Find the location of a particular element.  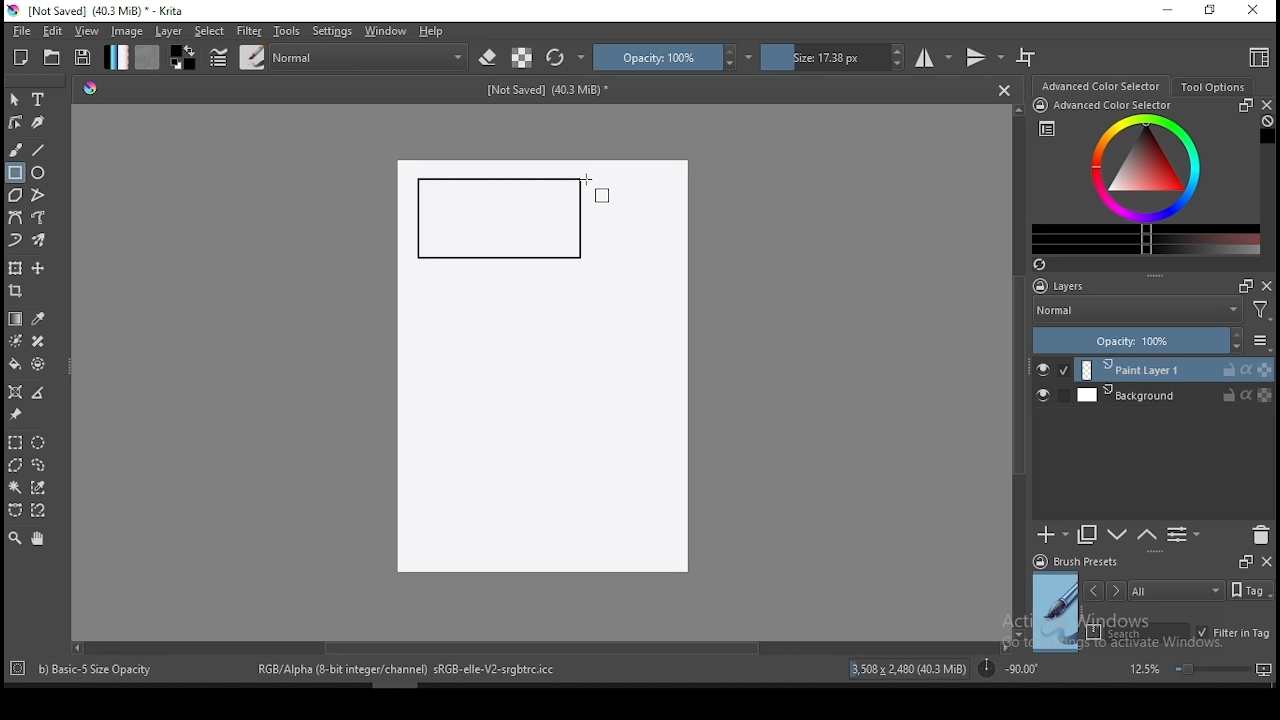

dynamic brush tool is located at coordinates (15, 241).